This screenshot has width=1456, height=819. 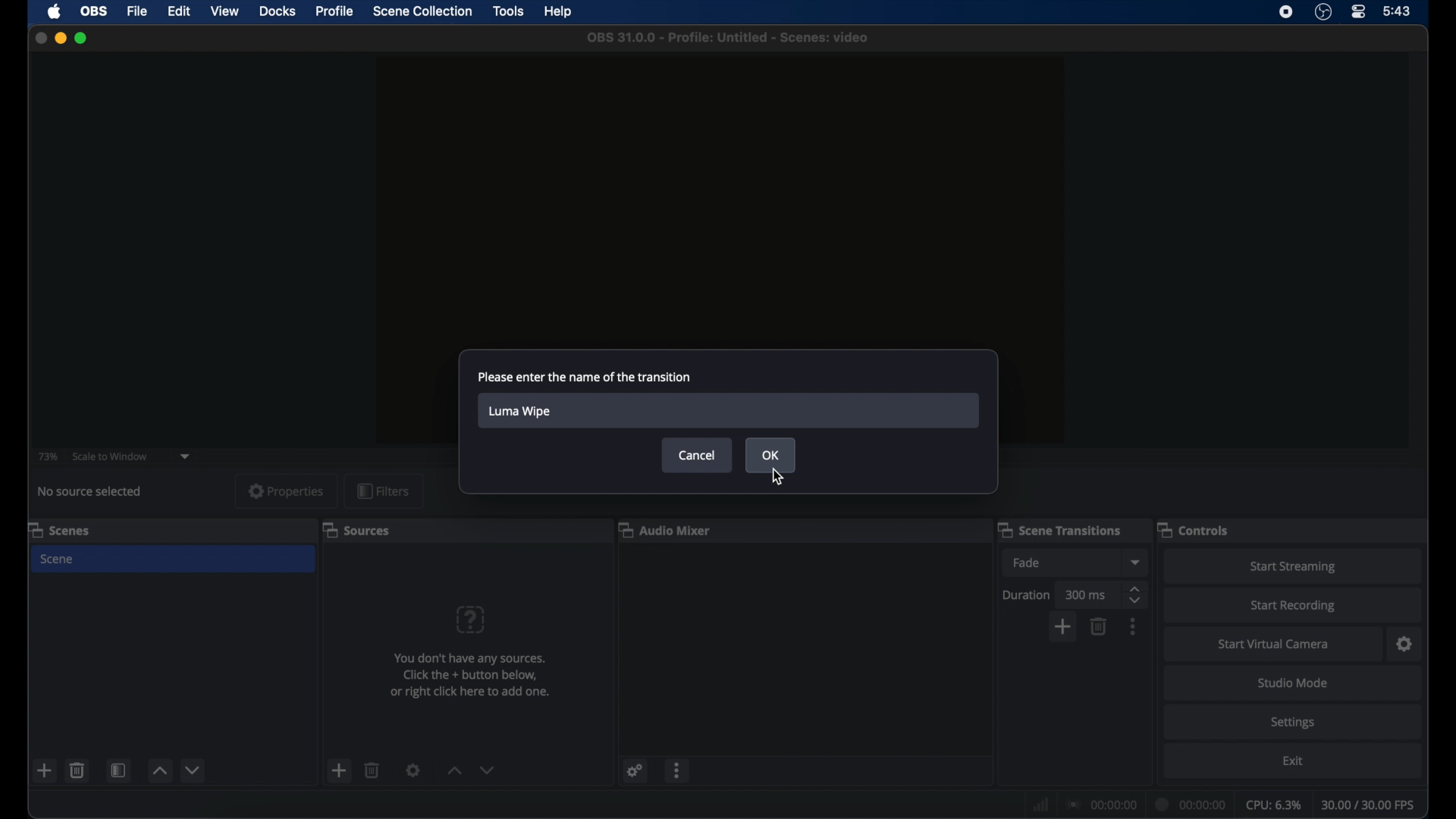 What do you see at coordinates (770, 455) in the screenshot?
I see `ok` at bounding box center [770, 455].